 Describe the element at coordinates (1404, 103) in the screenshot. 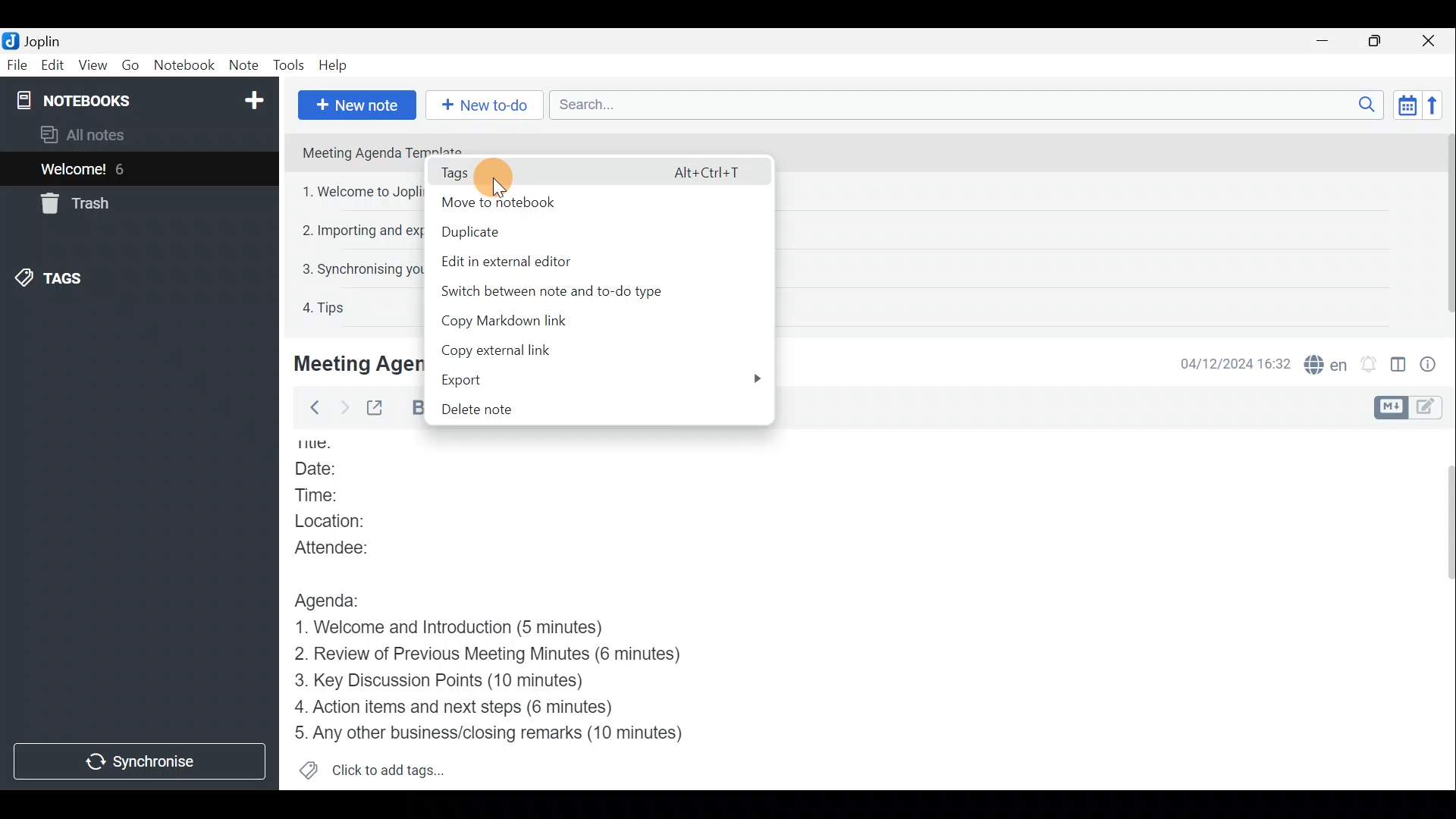

I see `Toggle sort order` at that location.